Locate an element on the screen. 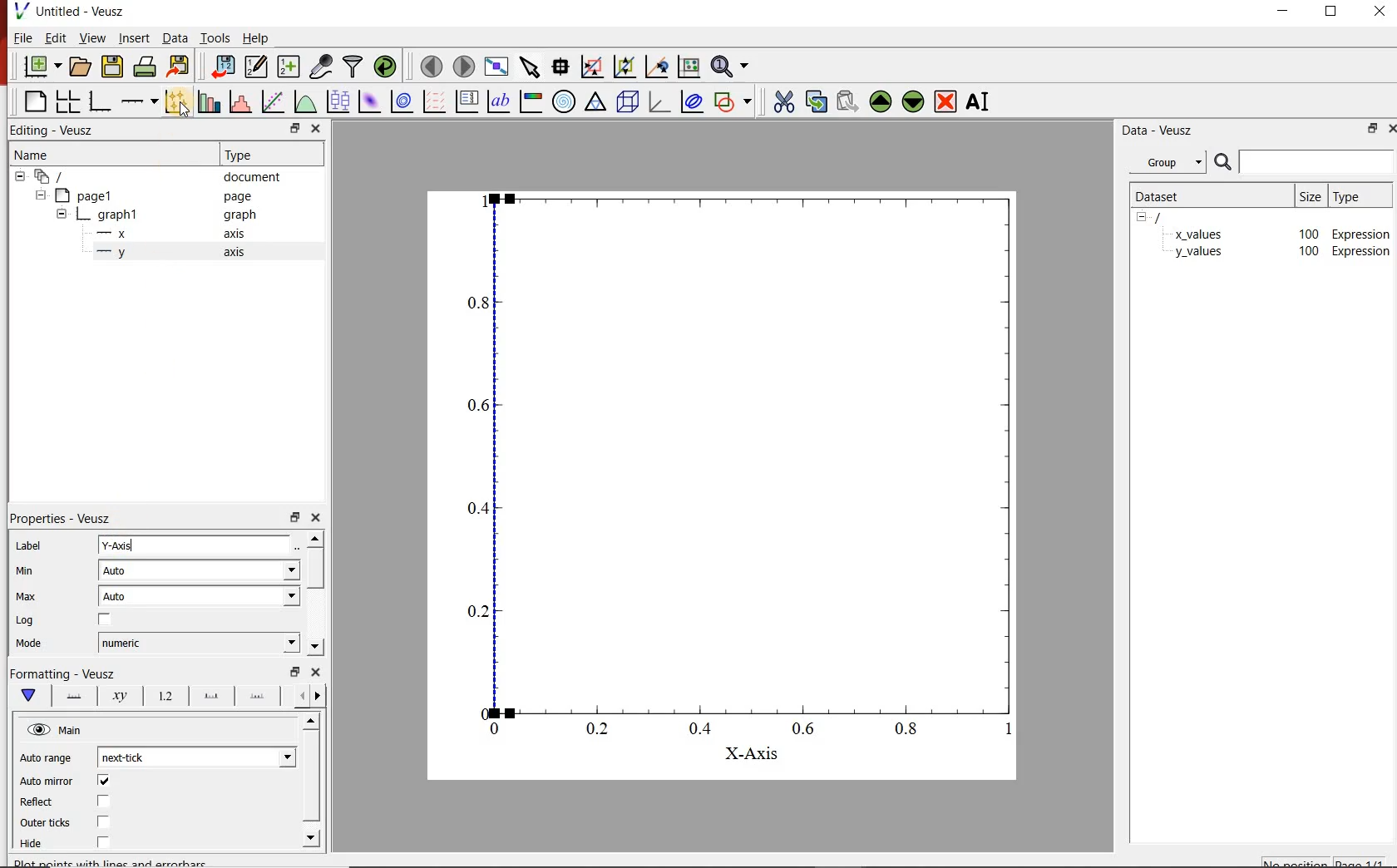  3d graph is located at coordinates (660, 104).